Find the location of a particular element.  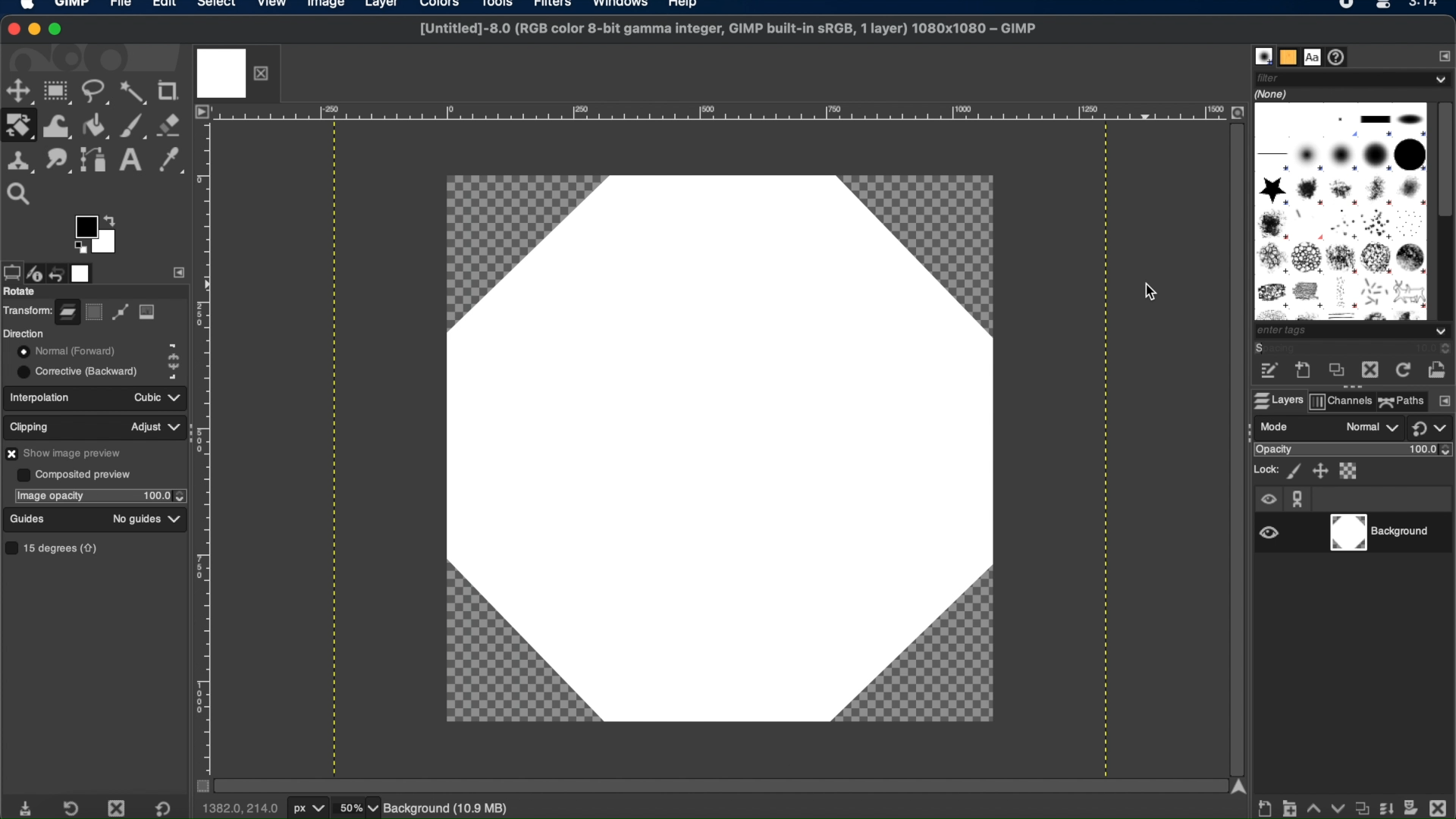

cubic dropdown is located at coordinates (153, 397).